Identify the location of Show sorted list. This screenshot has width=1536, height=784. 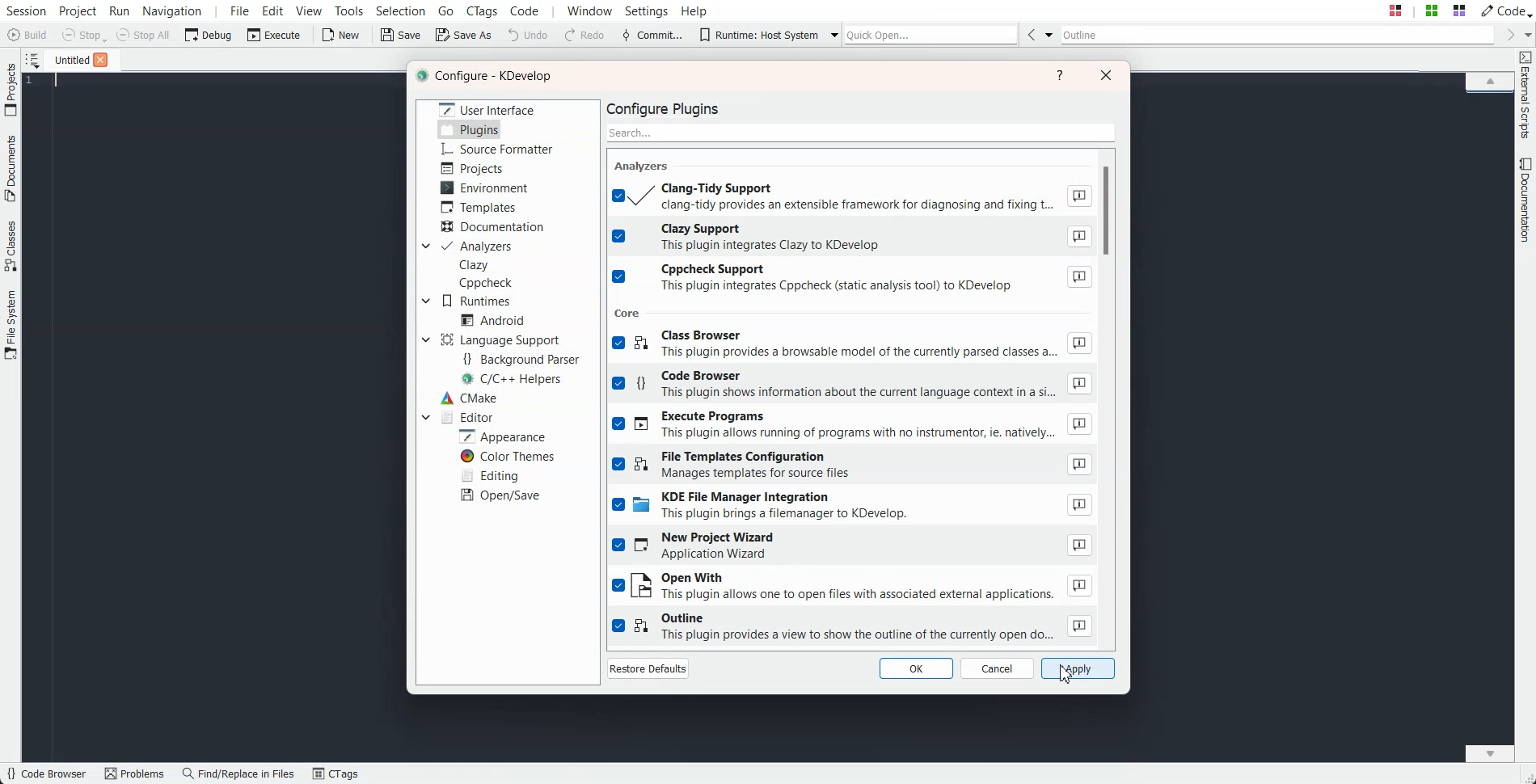
(32, 60).